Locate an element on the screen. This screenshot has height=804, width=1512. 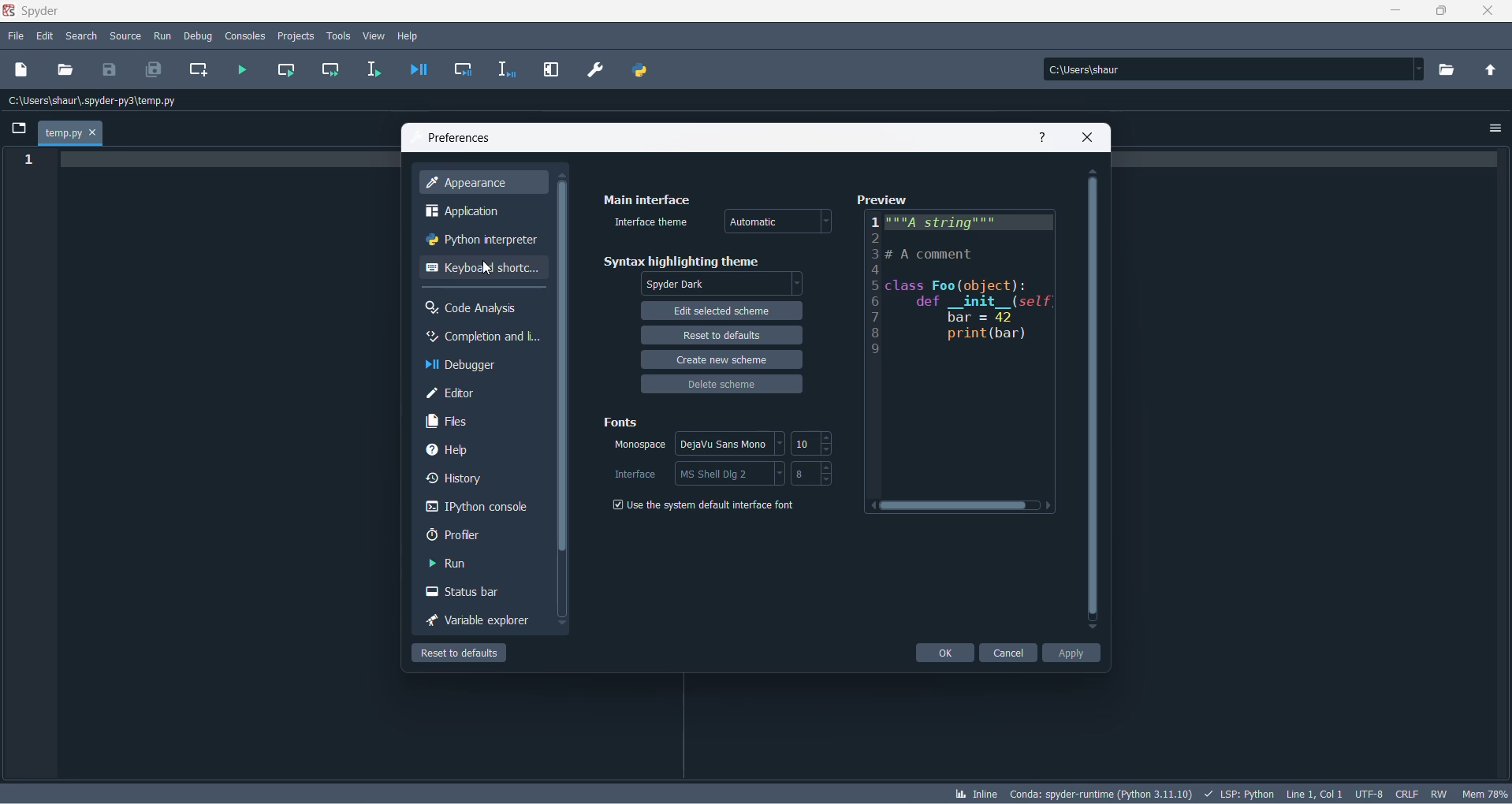
edit selected theme is located at coordinates (721, 310).